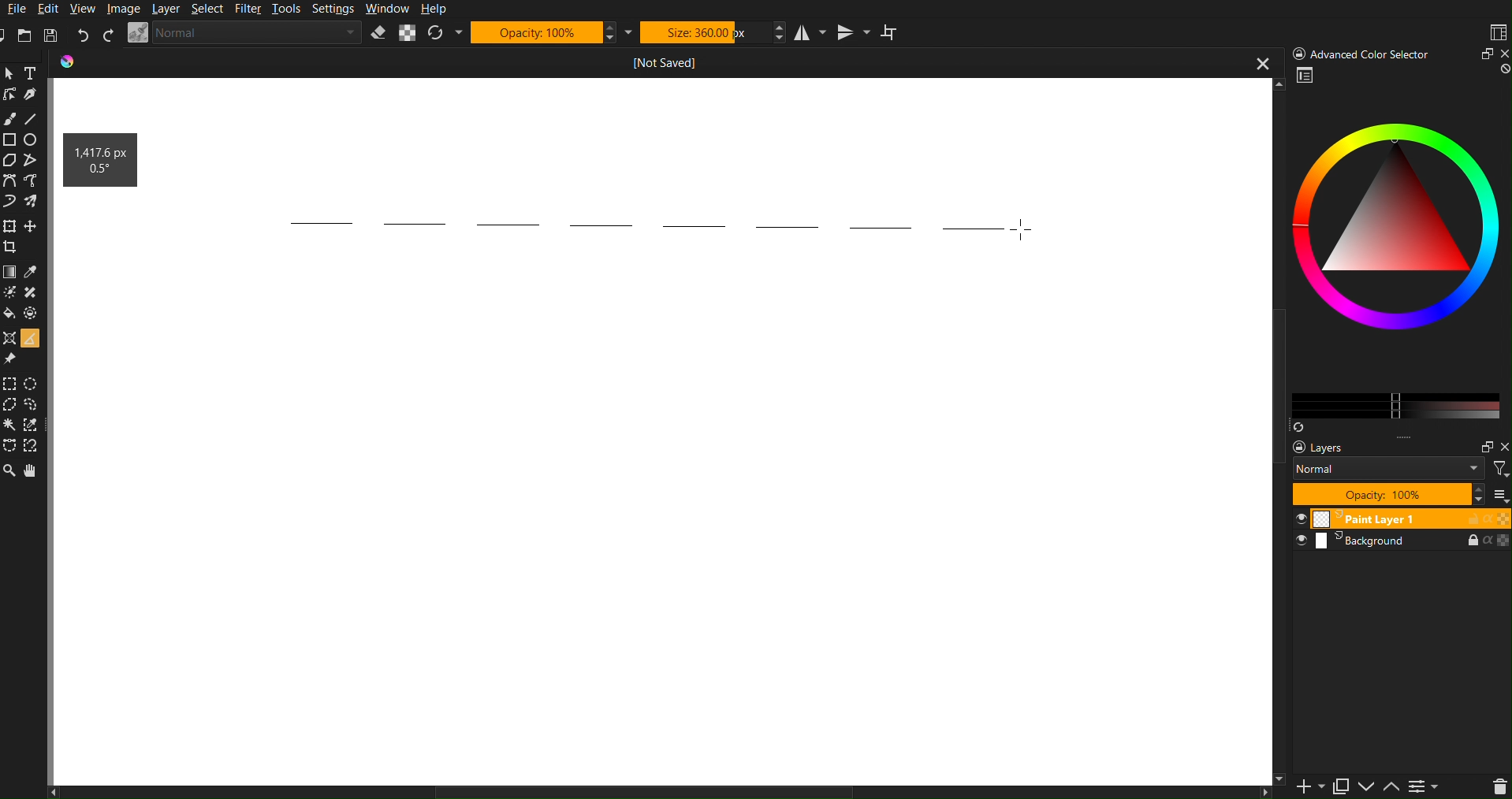 This screenshot has height=799, width=1512. I want to click on Magic Wand, so click(11, 426).